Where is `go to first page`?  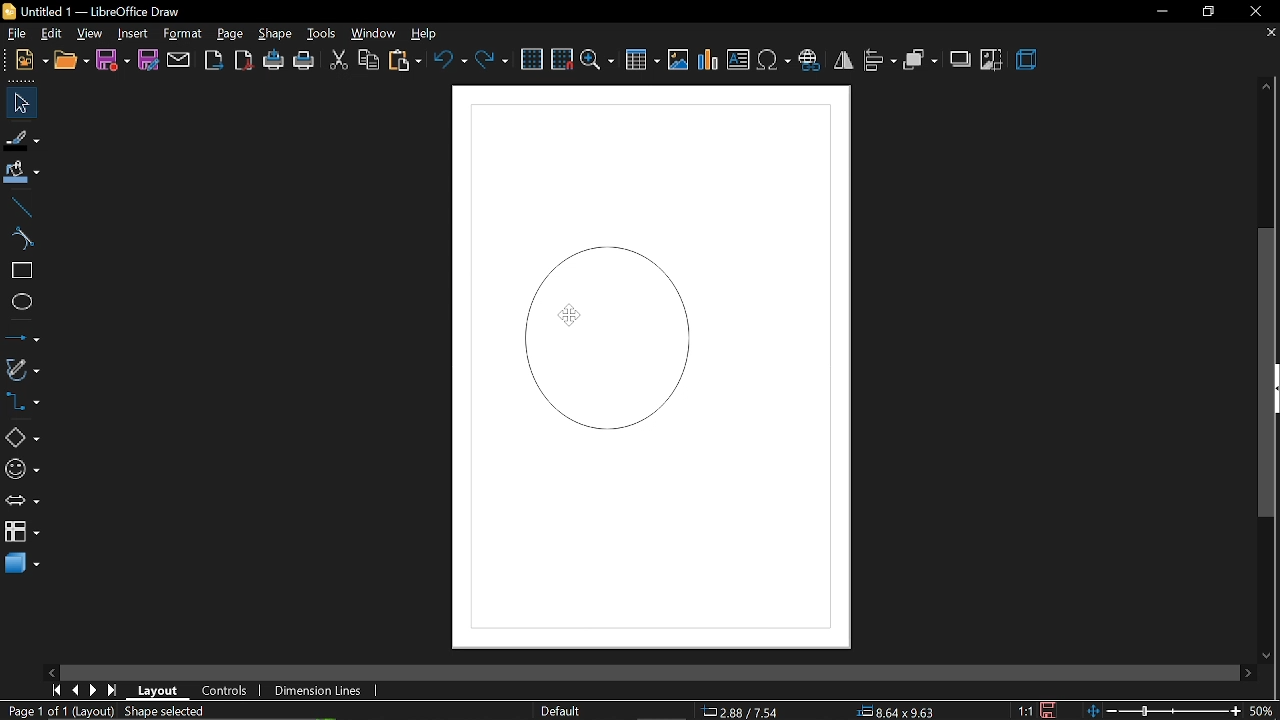
go to first page is located at coordinates (57, 691).